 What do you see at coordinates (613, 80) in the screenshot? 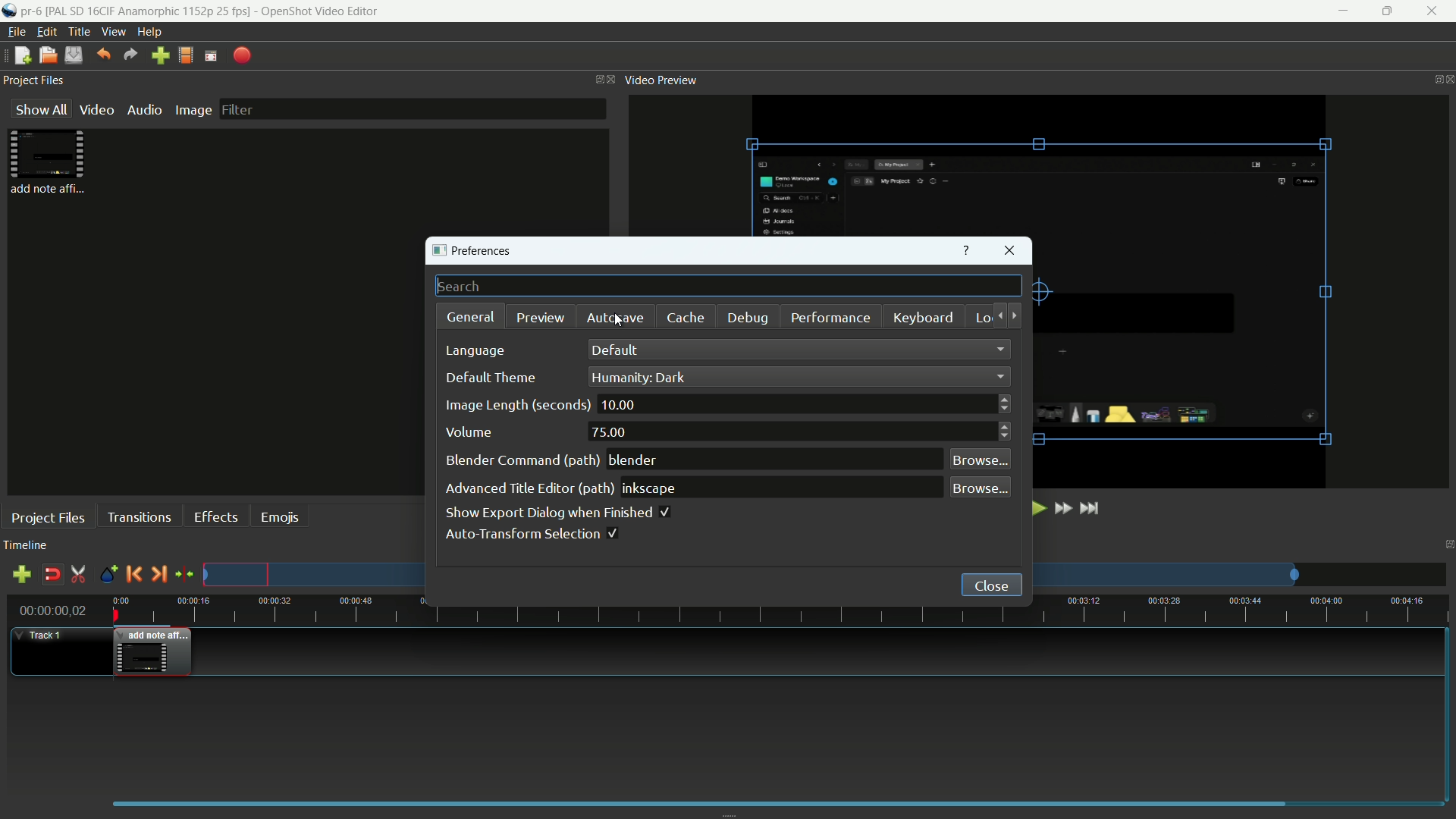
I see `close project files` at bounding box center [613, 80].